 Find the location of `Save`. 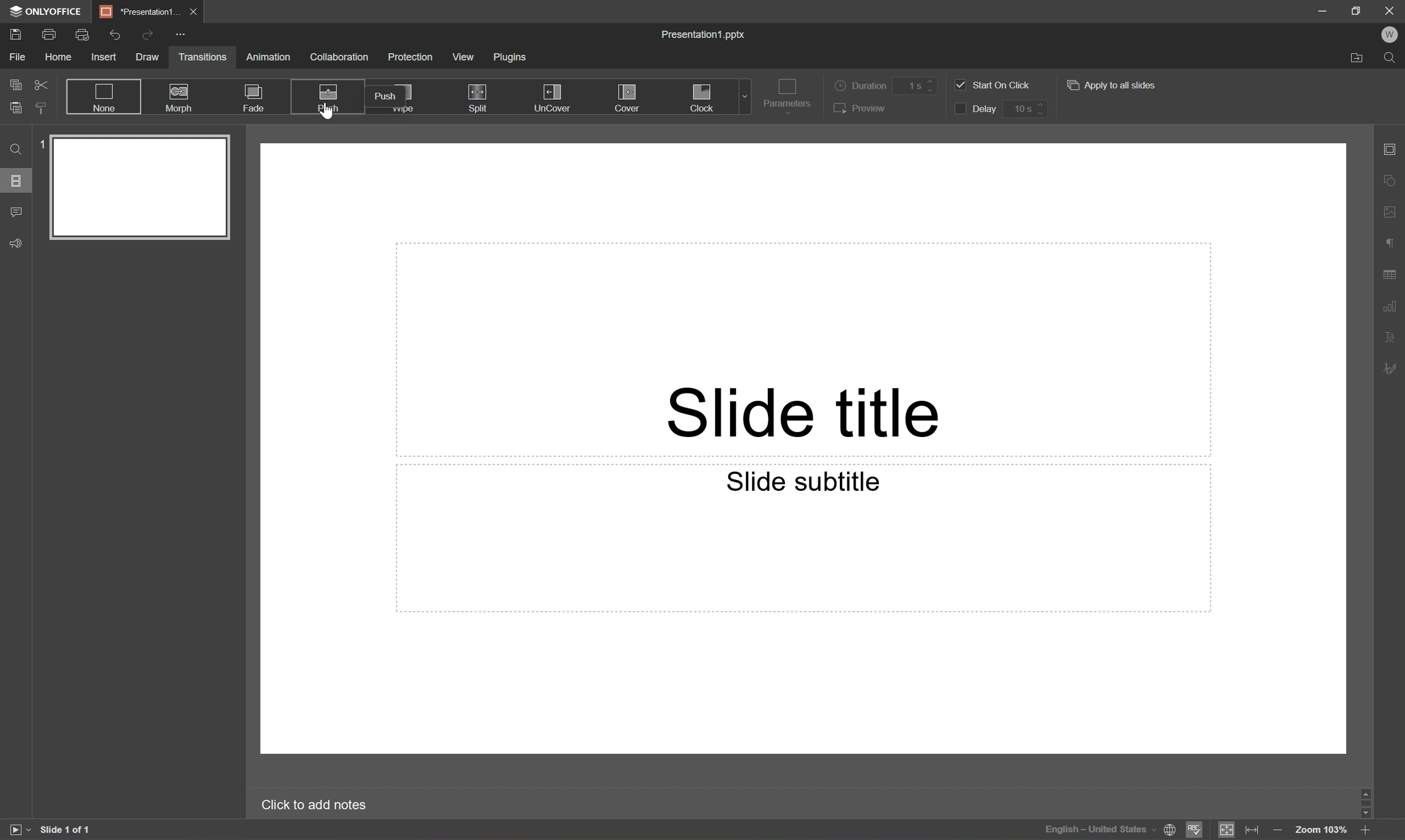

Save is located at coordinates (15, 34).